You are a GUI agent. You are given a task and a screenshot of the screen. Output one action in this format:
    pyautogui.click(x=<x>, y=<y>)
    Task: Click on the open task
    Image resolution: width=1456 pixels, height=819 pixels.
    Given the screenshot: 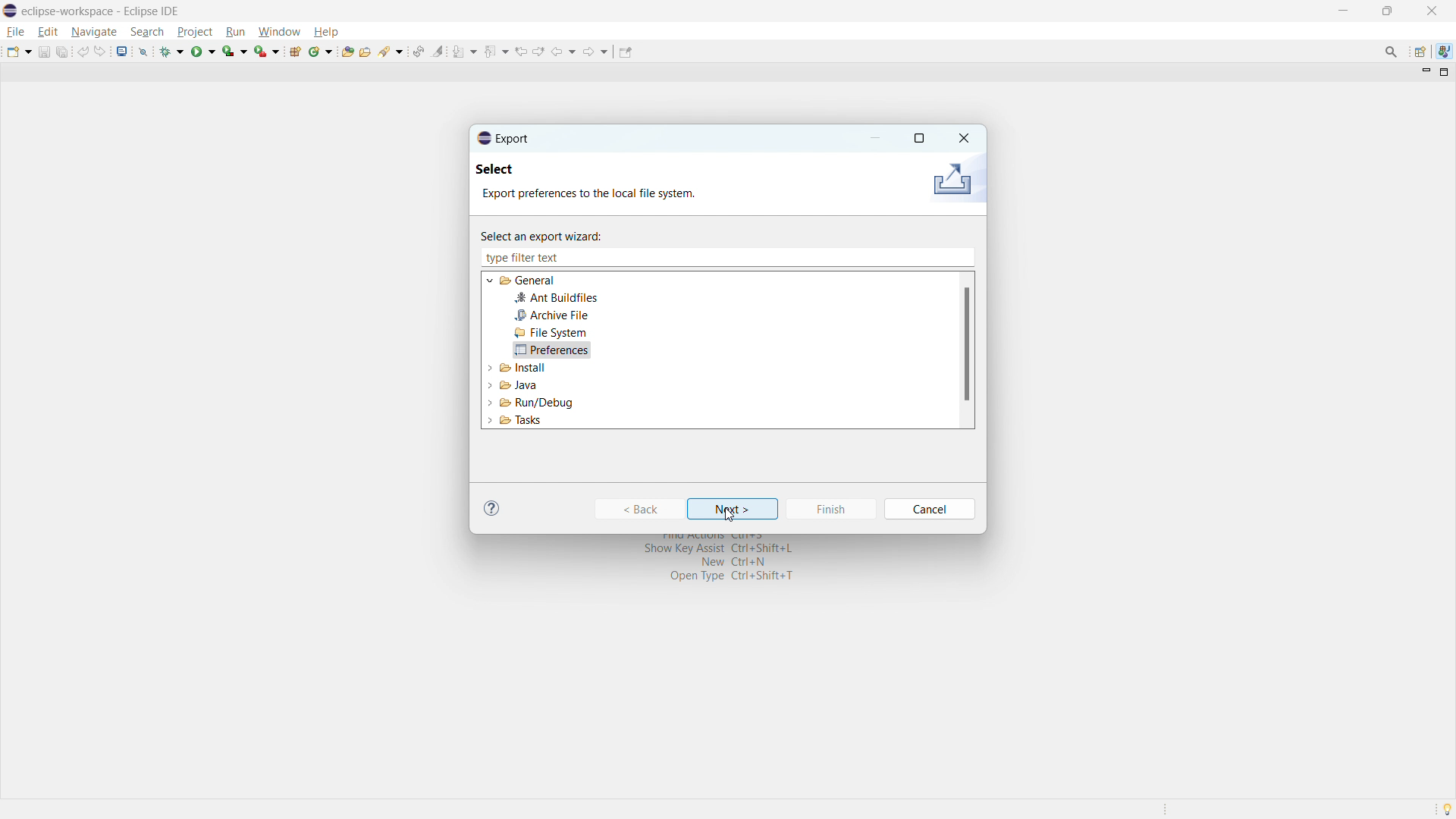 What is the action you would take?
    pyautogui.click(x=365, y=50)
    